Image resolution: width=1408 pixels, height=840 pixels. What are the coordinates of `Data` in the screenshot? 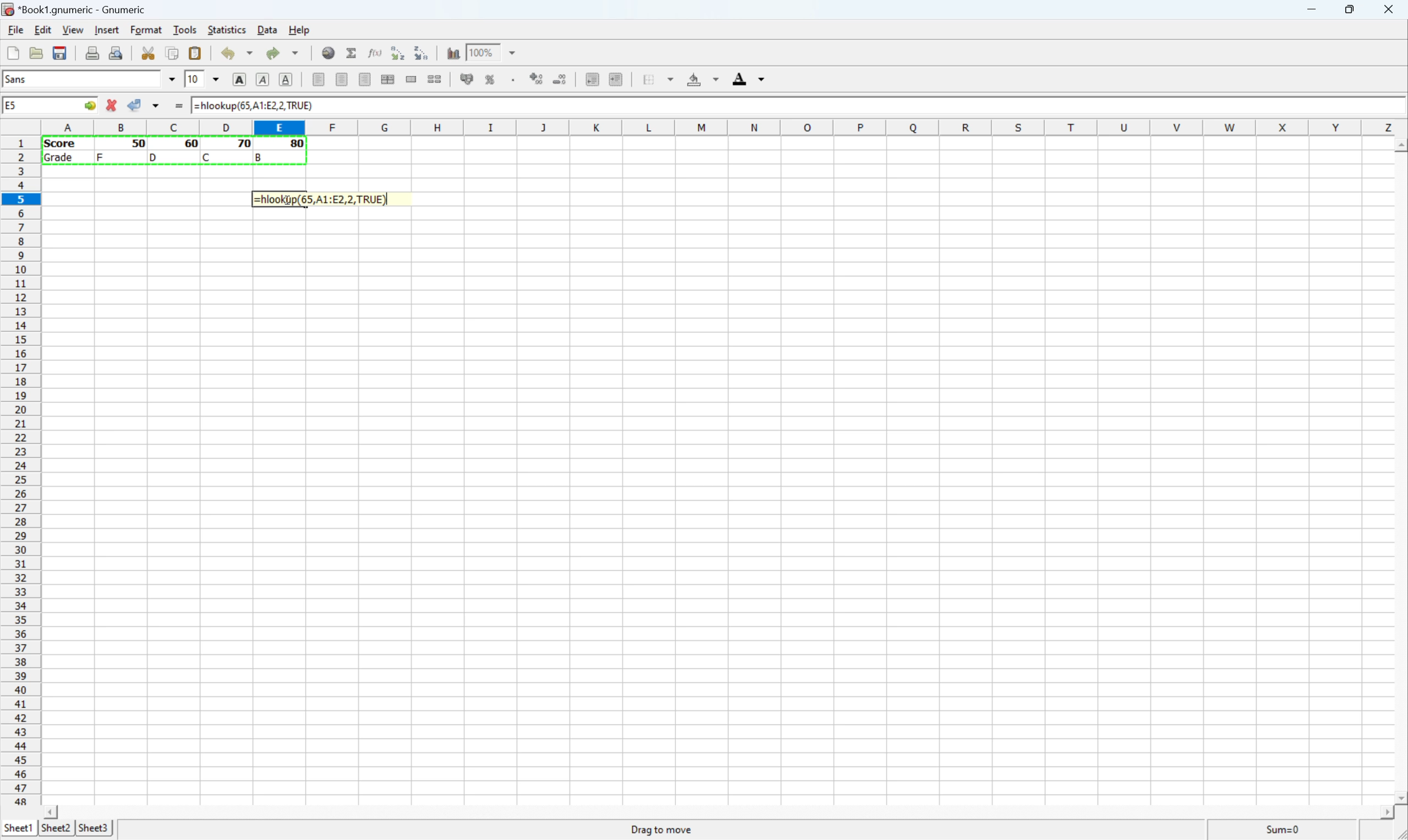 It's located at (266, 29).